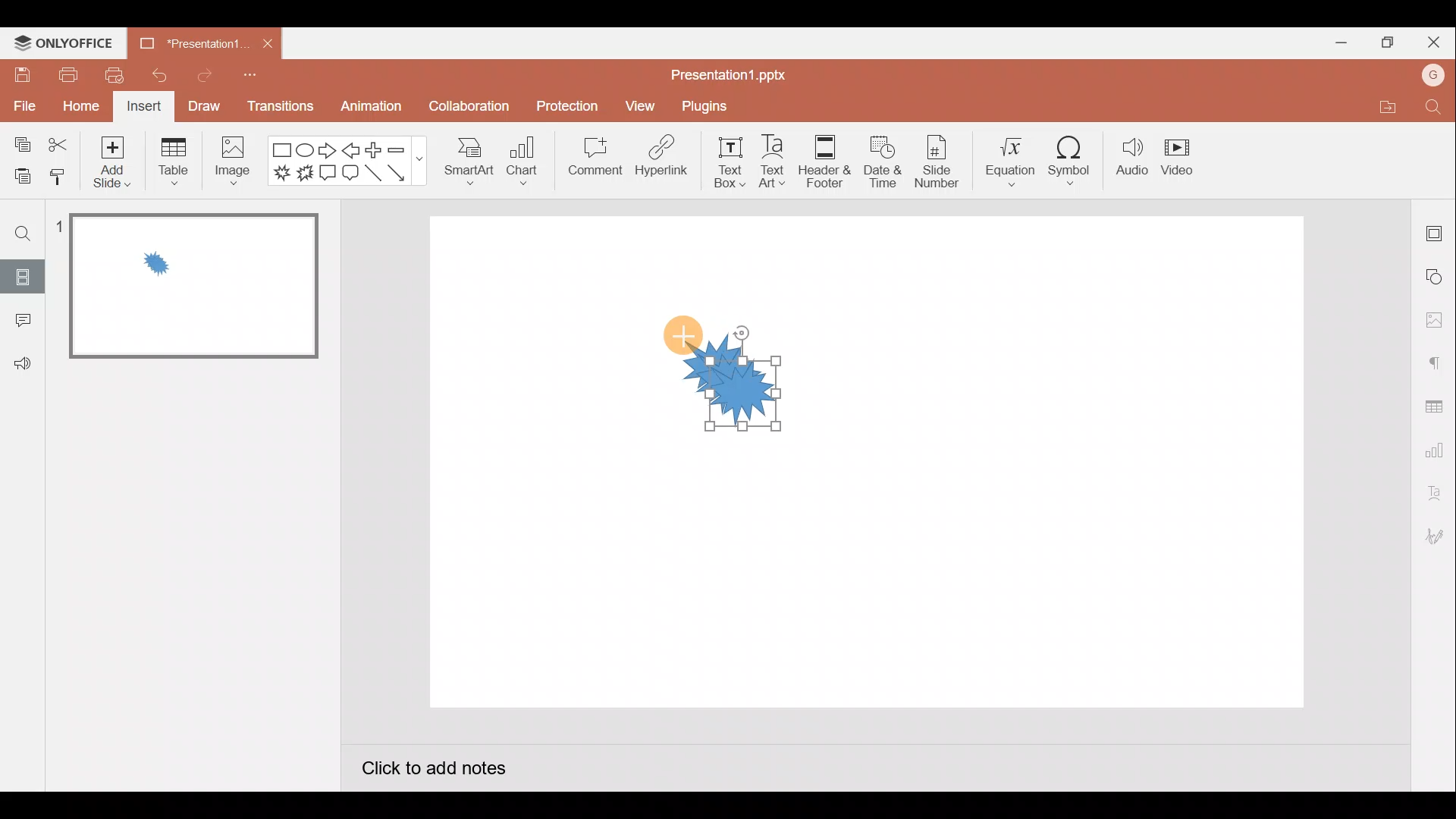  Describe the element at coordinates (237, 162) in the screenshot. I see `Image` at that location.